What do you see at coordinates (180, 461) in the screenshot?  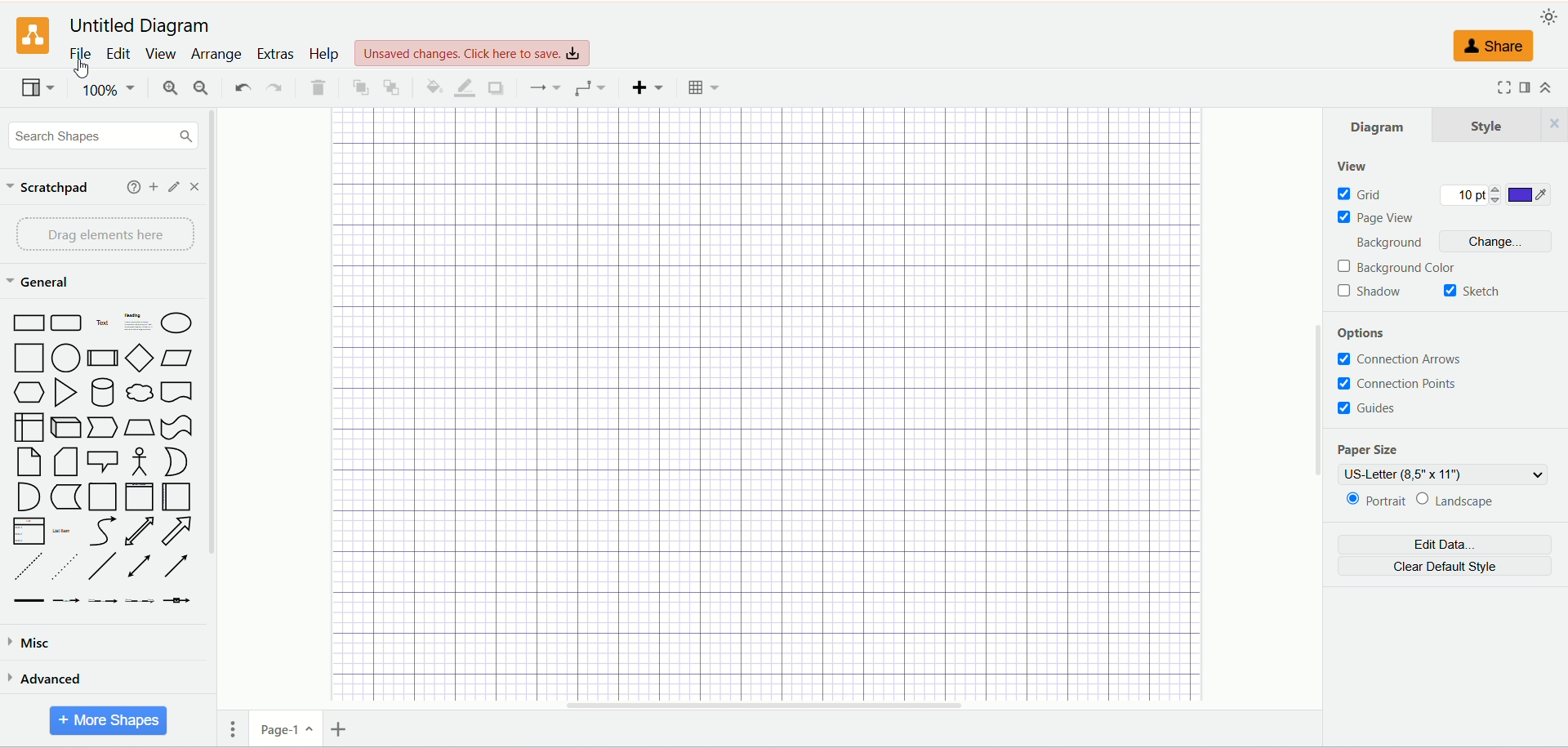 I see `Or` at bounding box center [180, 461].